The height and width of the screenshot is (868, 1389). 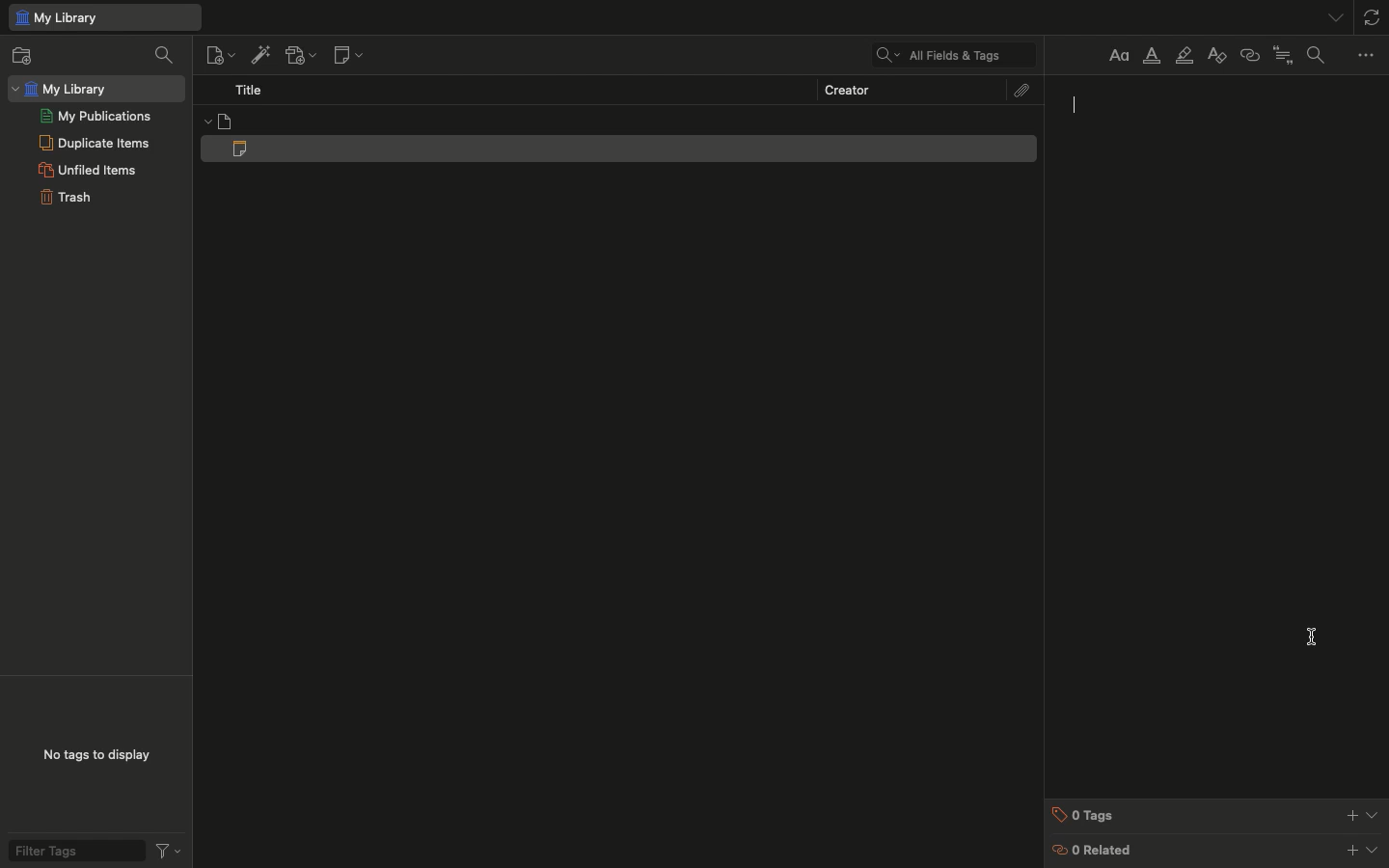 I want to click on Note in progress, so click(x=623, y=149).